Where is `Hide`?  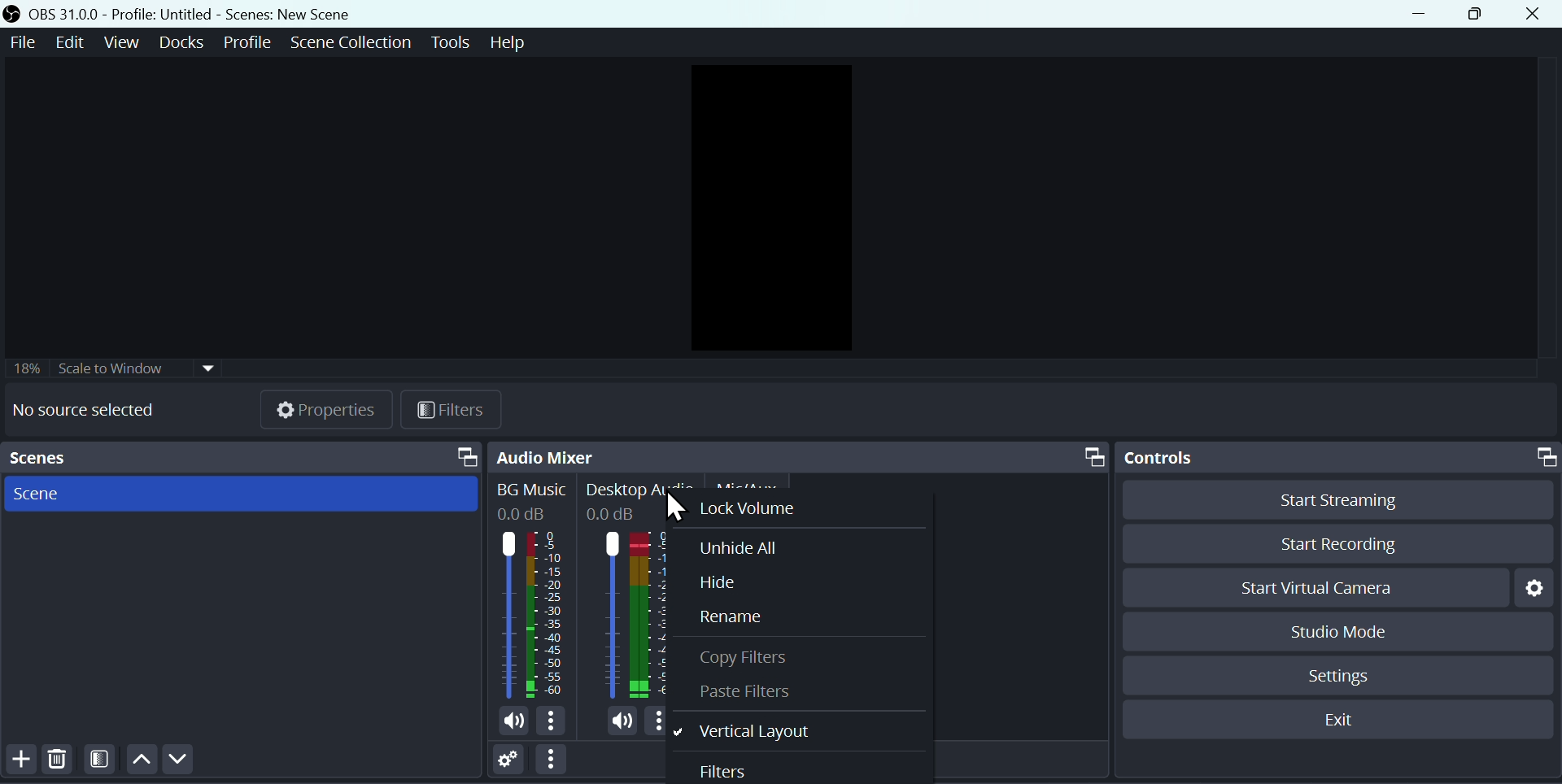
Hide is located at coordinates (715, 586).